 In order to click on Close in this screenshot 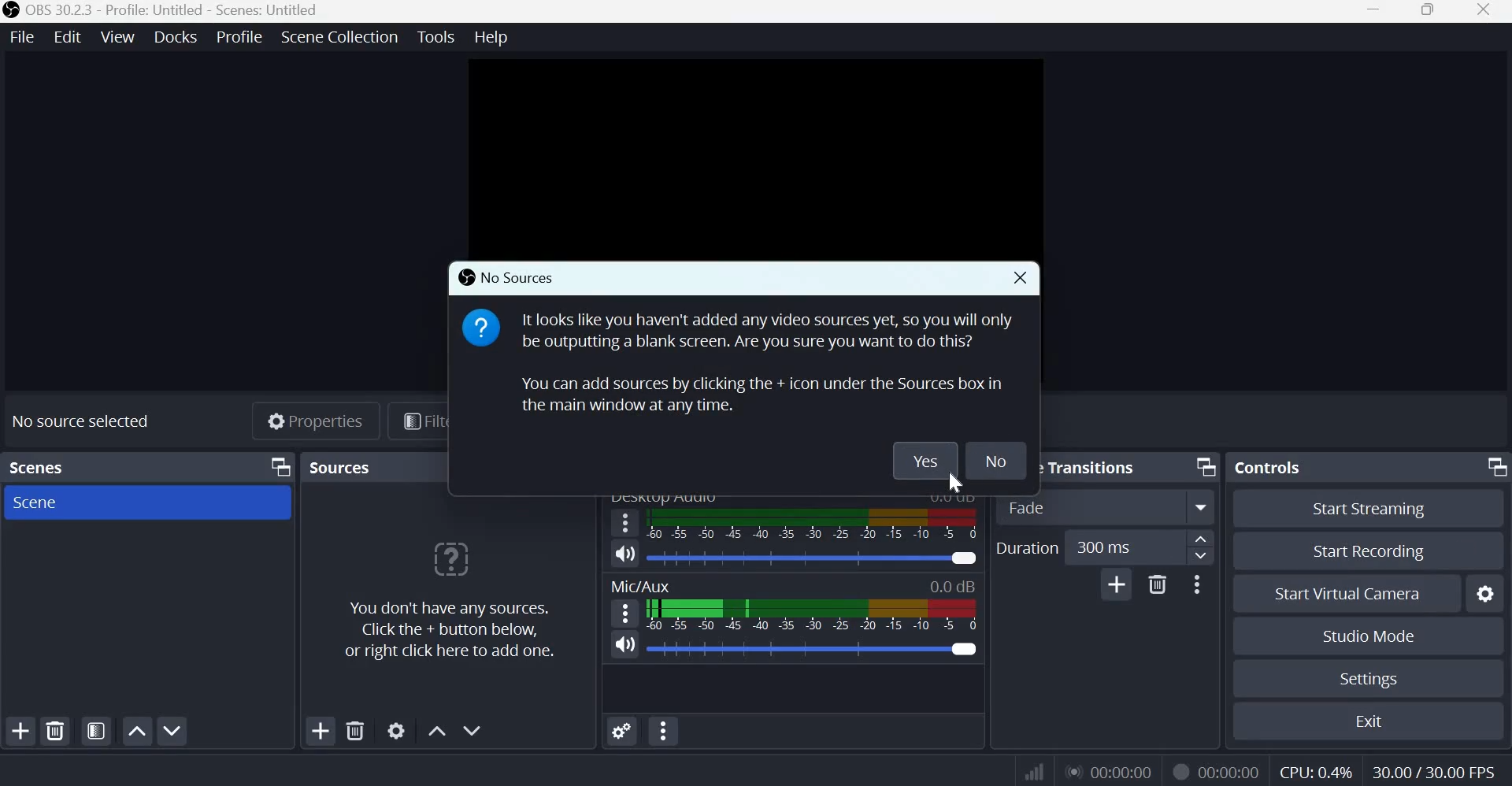, I will do `click(1483, 11)`.